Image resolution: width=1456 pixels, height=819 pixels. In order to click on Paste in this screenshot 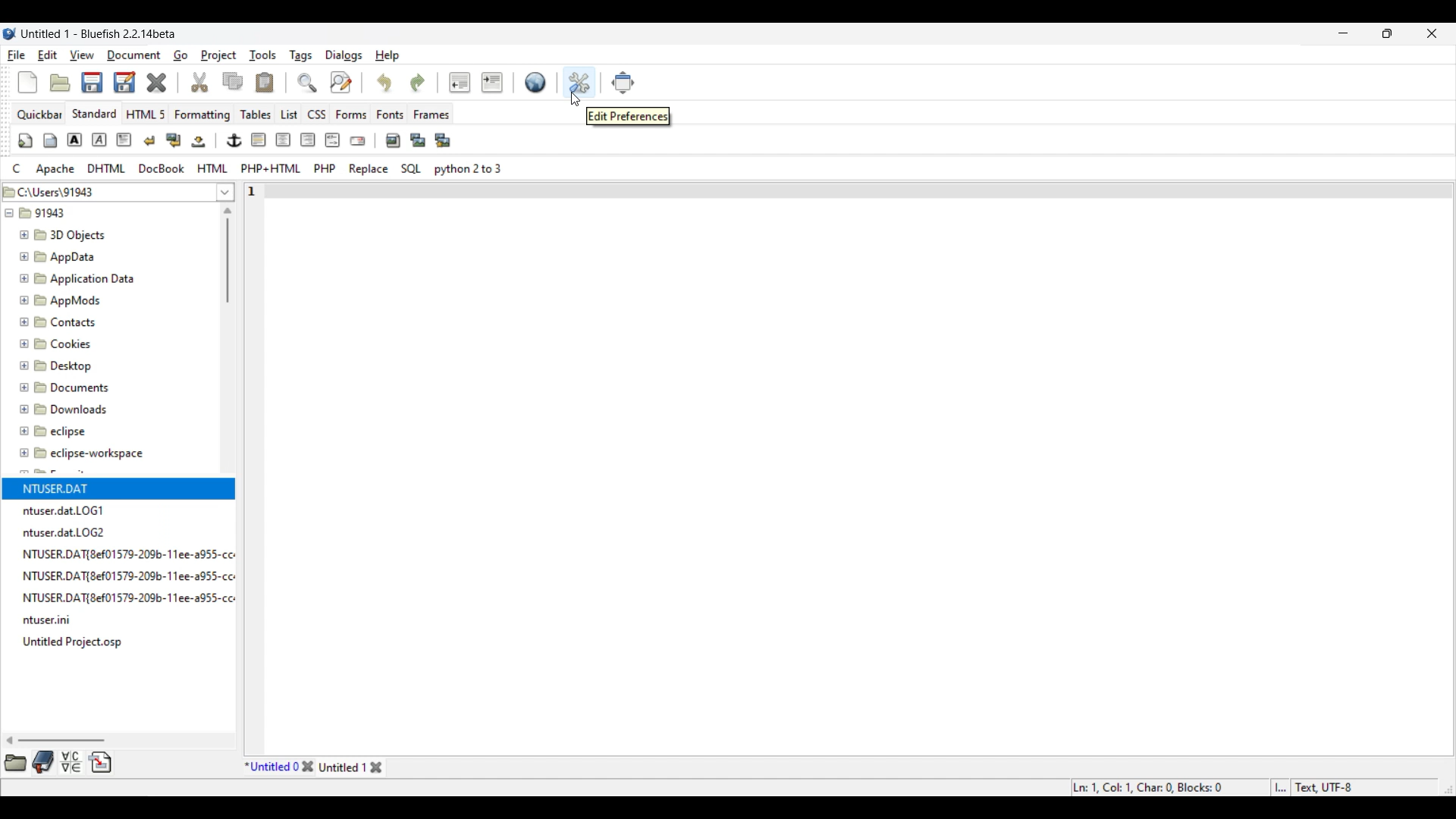, I will do `click(265, 82)`.